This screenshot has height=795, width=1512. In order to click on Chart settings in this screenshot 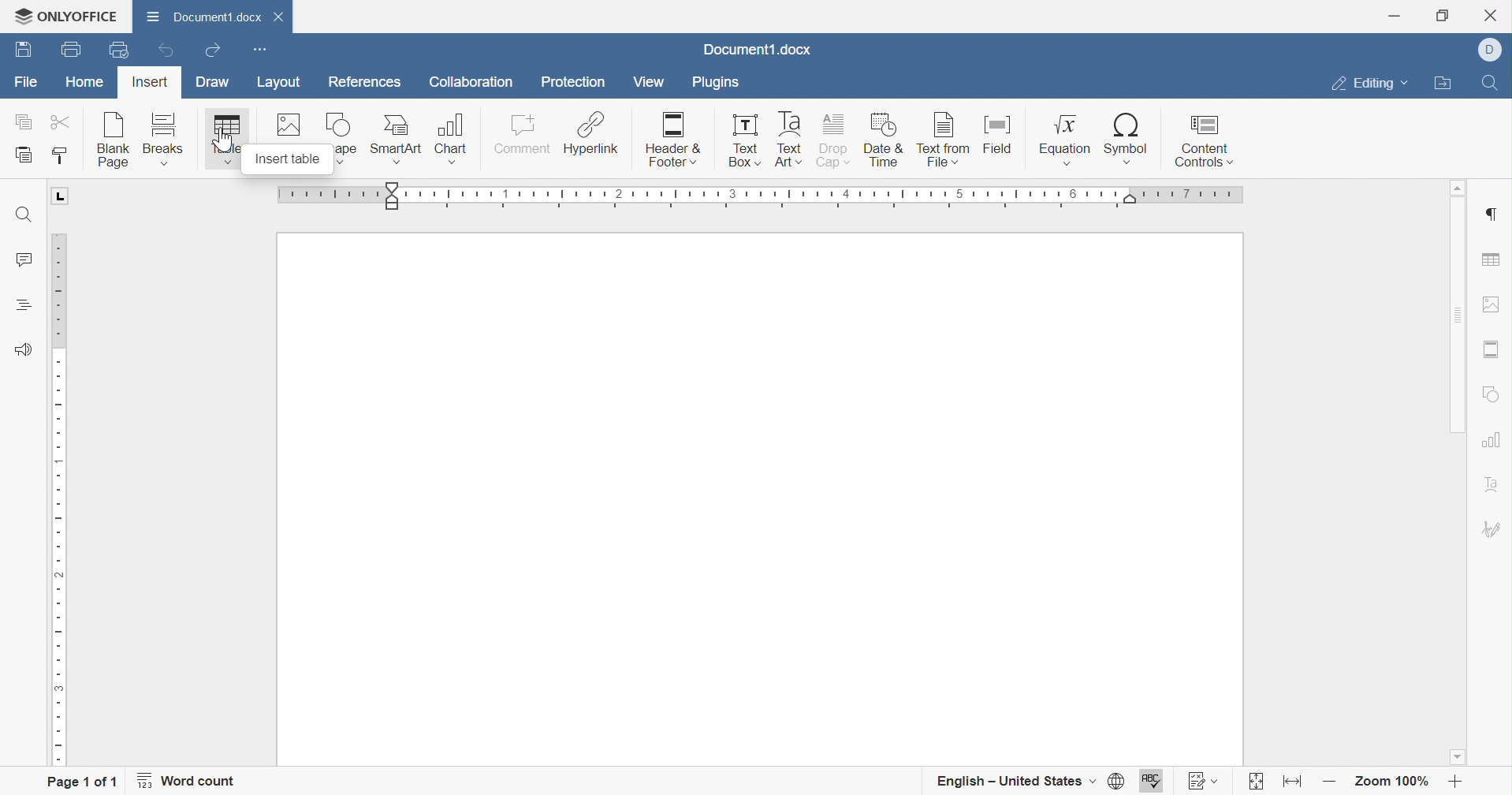, I will do `click(1490, 439)`.